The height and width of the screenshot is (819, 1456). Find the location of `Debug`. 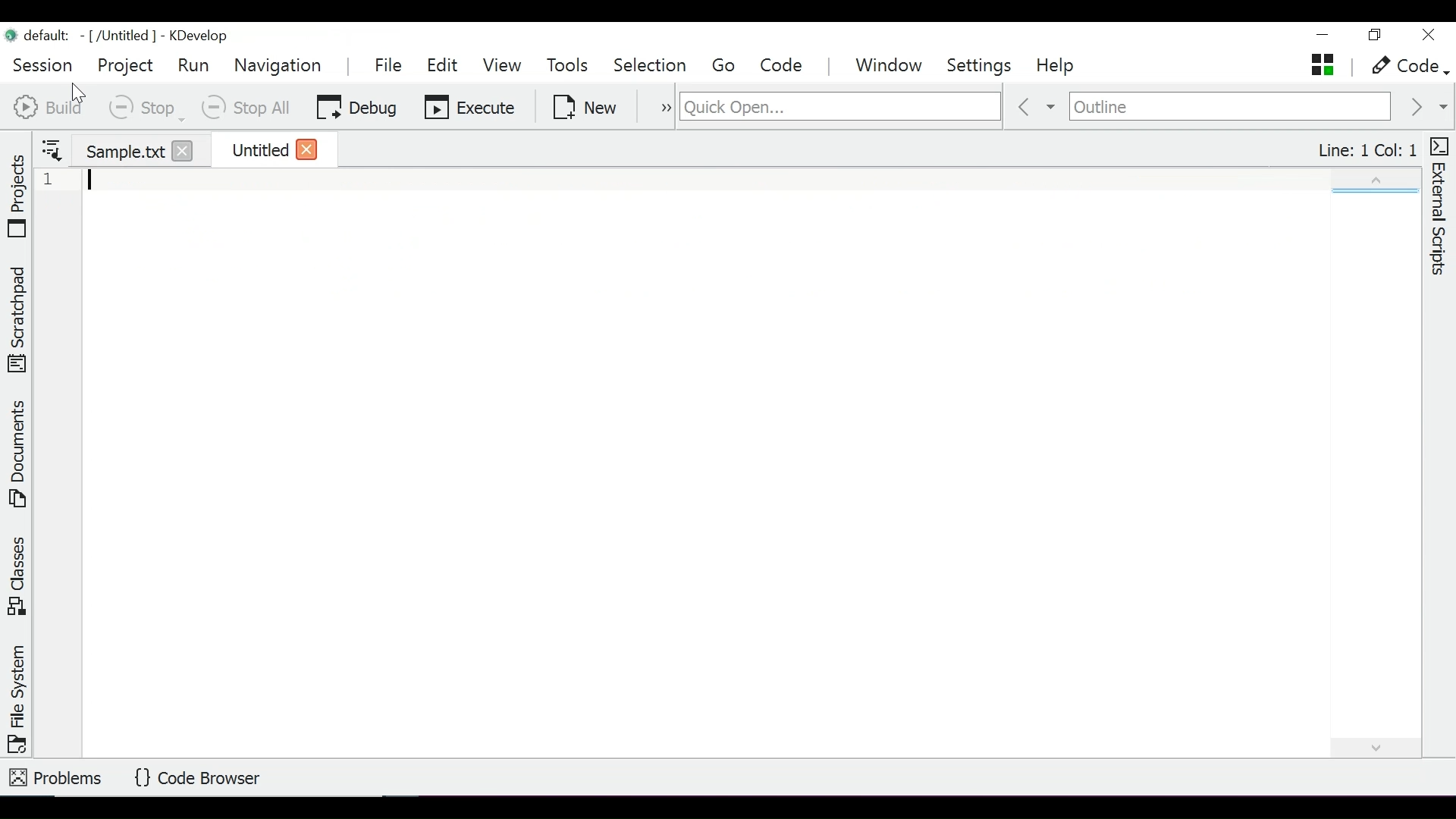

Debug is located at coordinates (357, 106).